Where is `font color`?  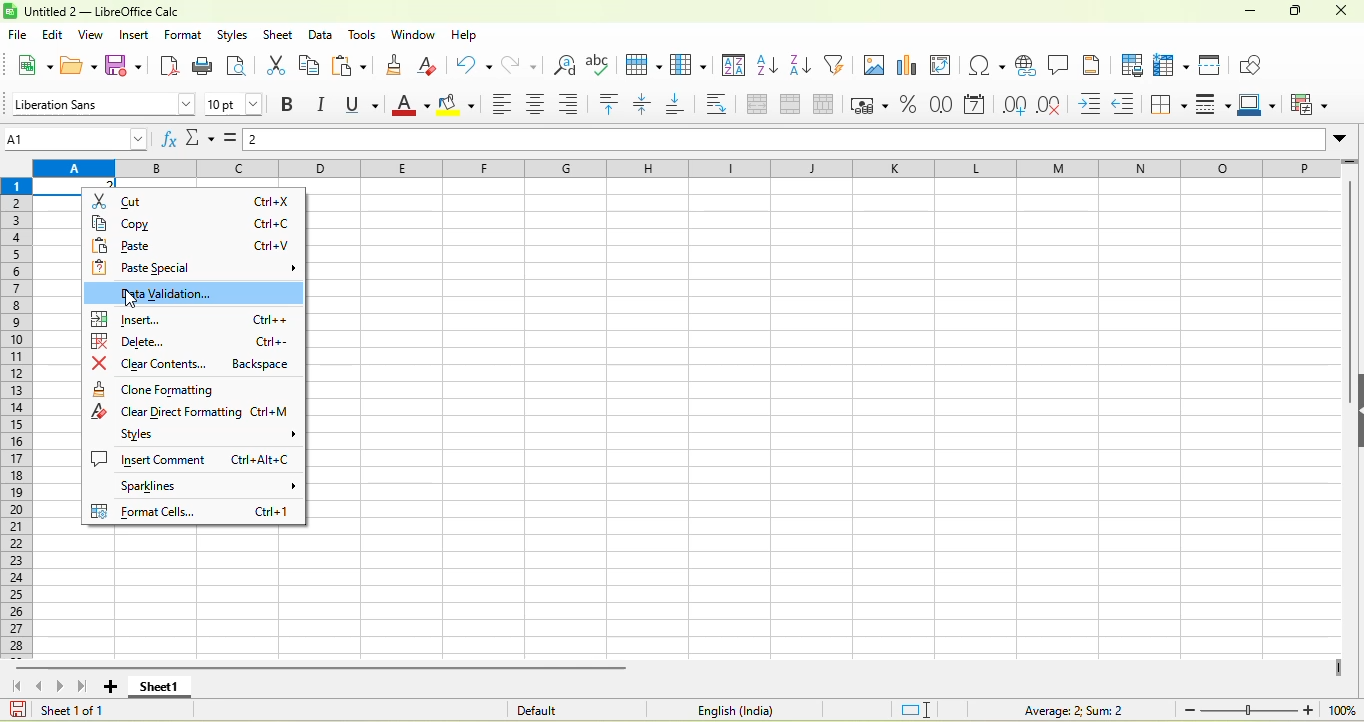
font color is located at coordinates (412, 105).